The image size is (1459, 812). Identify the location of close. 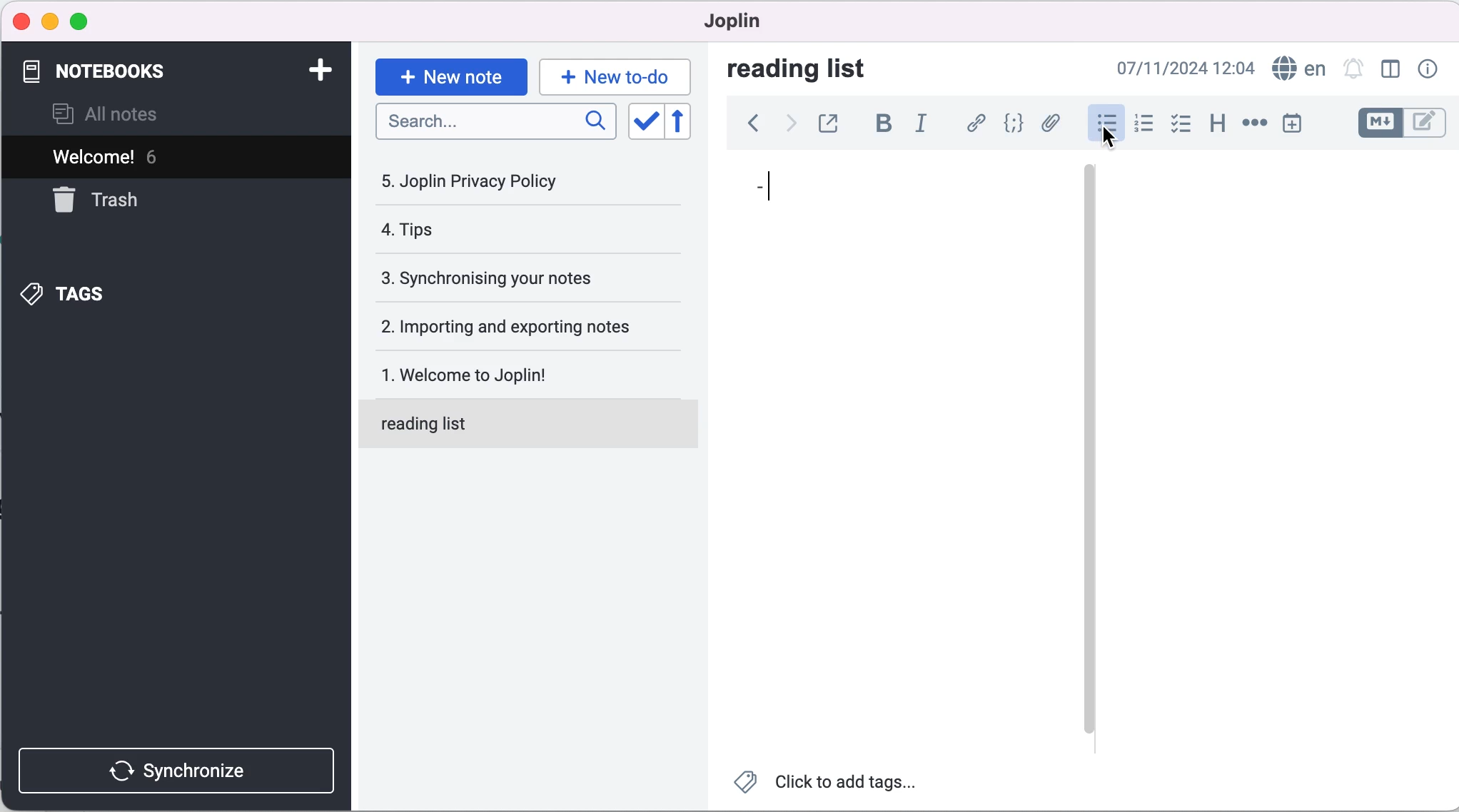
(22, 19).